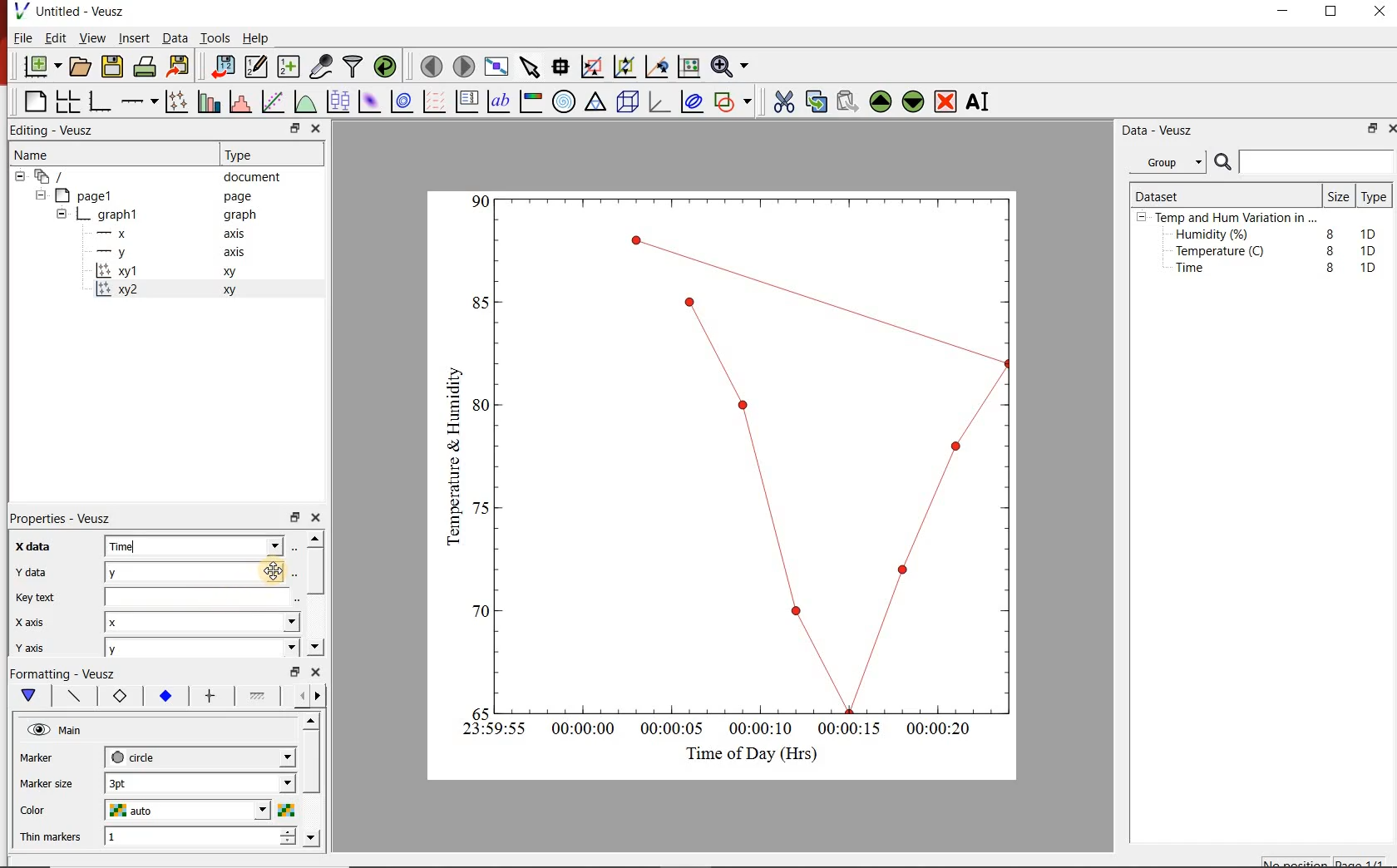 The width and height of the screenshot is (1397, 868). What do you see at coordinates (289, 67) in the screenshot?
I see `create new datasets using ranges, parametrically or as functions of existing datasets` at bounding box center [289, 67].